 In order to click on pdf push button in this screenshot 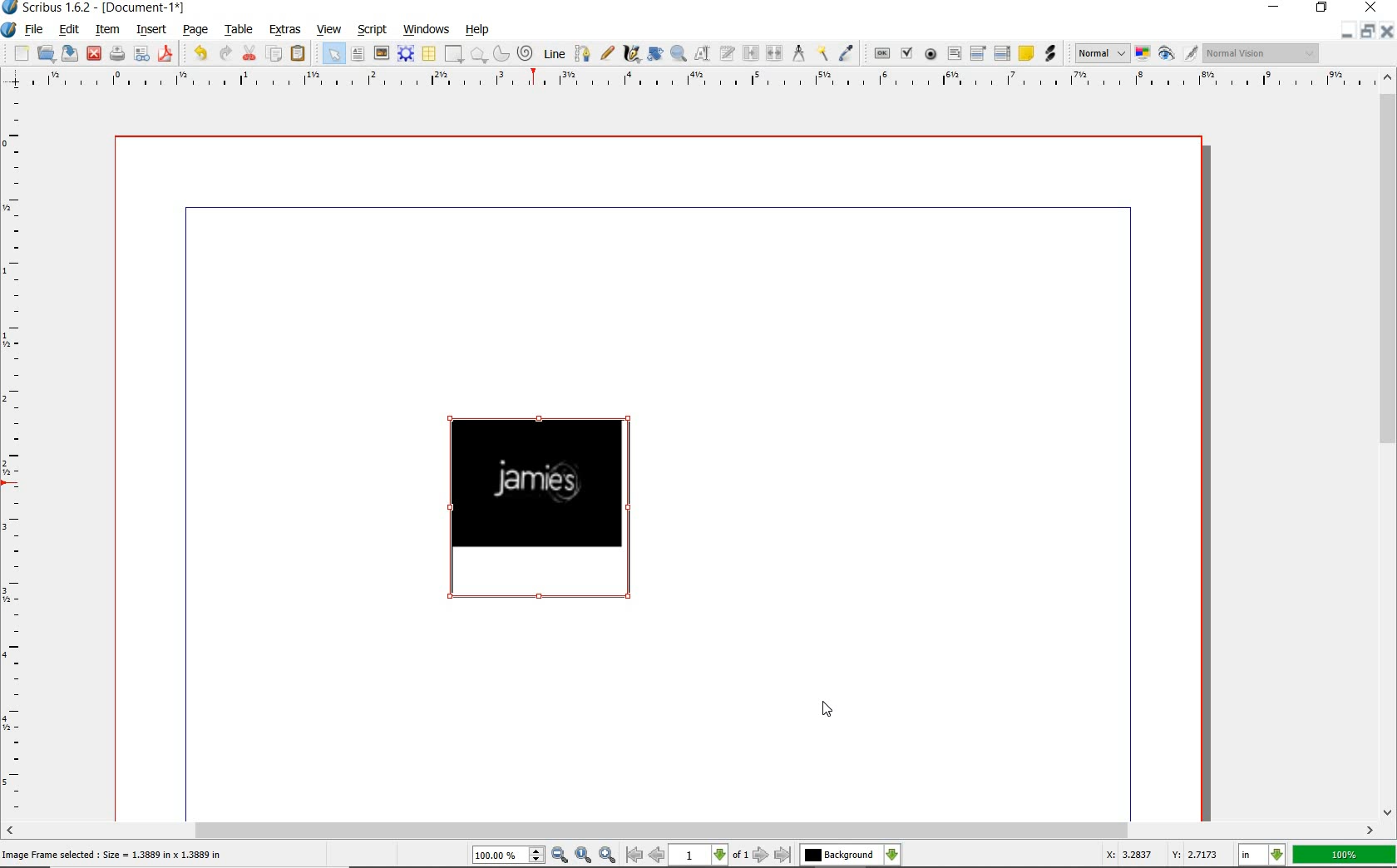, I will do `click(882, 54)`.